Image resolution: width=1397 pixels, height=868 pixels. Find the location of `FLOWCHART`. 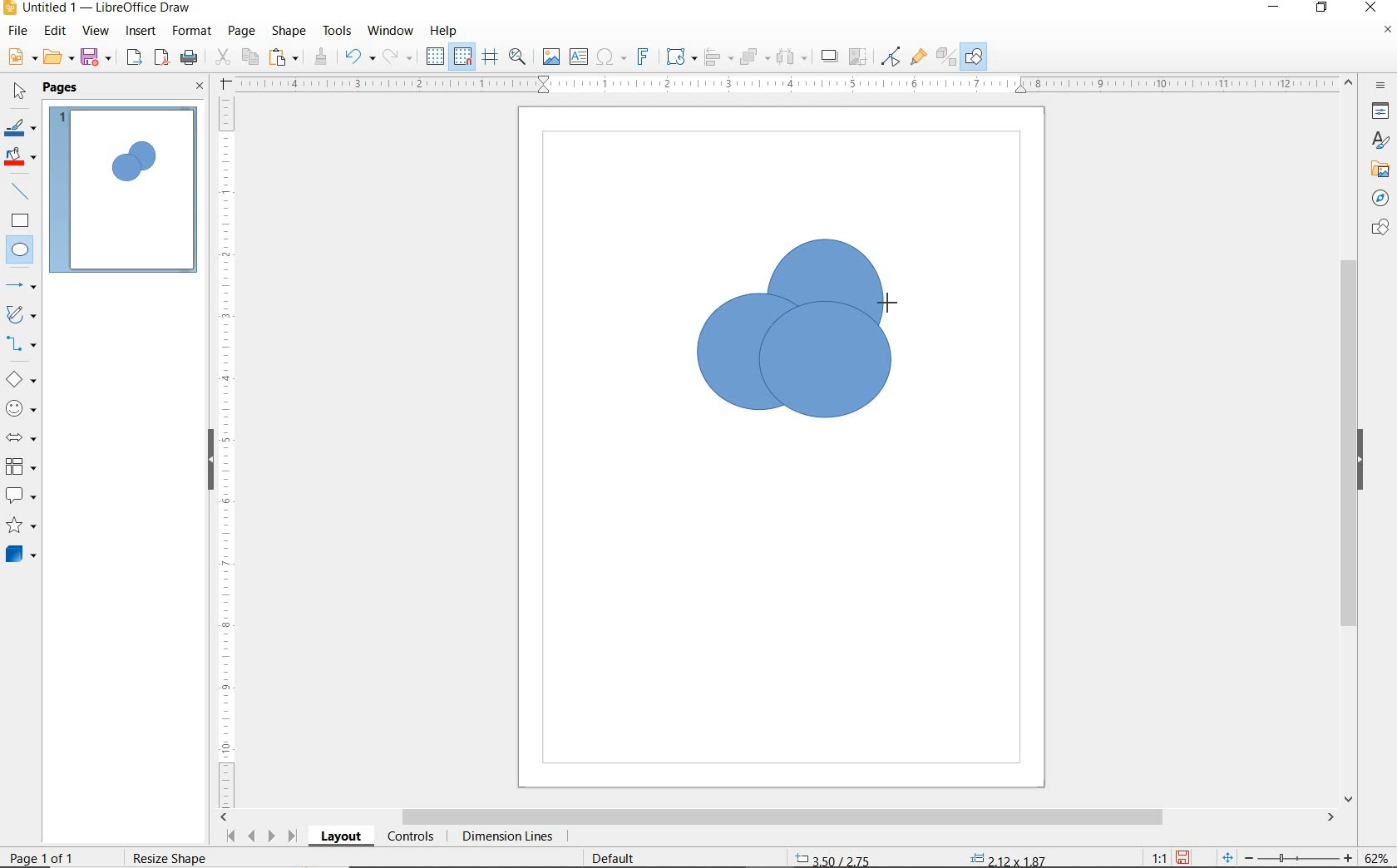

FLOWCHART is located at coordinates (20, 467).